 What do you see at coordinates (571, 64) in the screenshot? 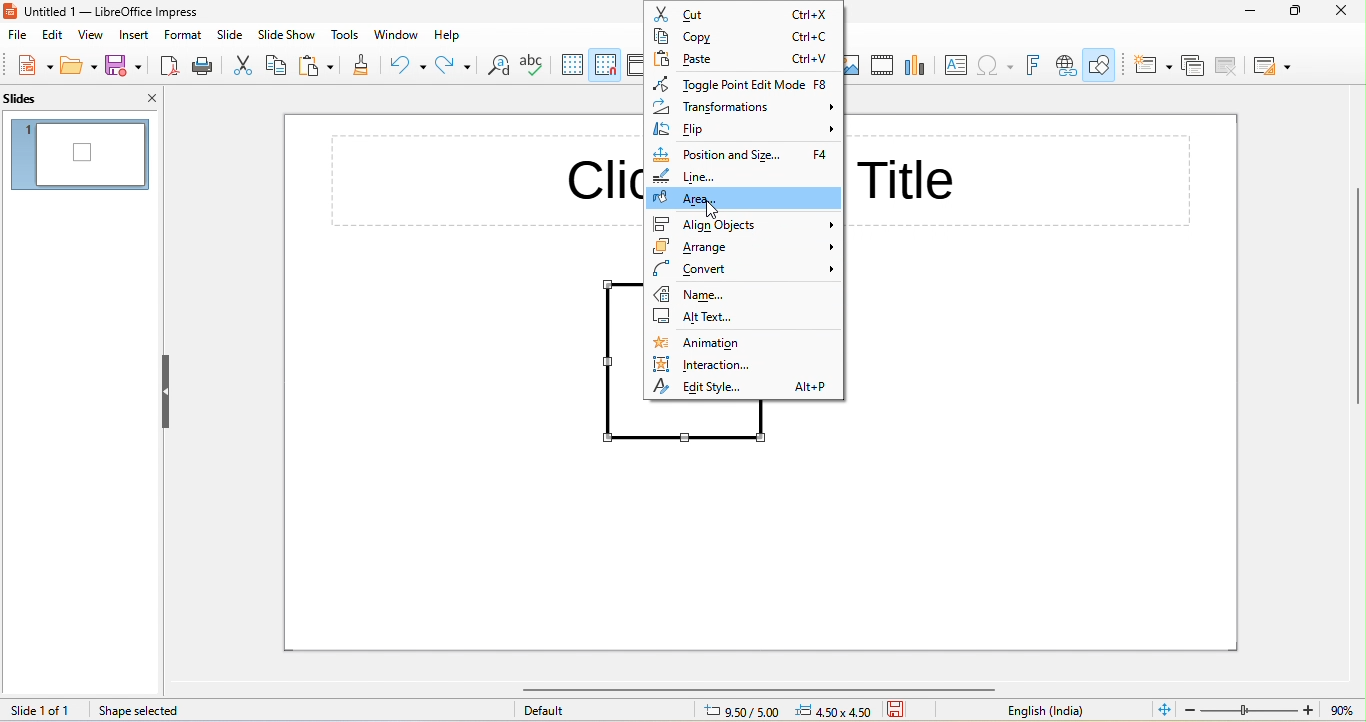
I see `display grid` at bounding box center [571, 64].